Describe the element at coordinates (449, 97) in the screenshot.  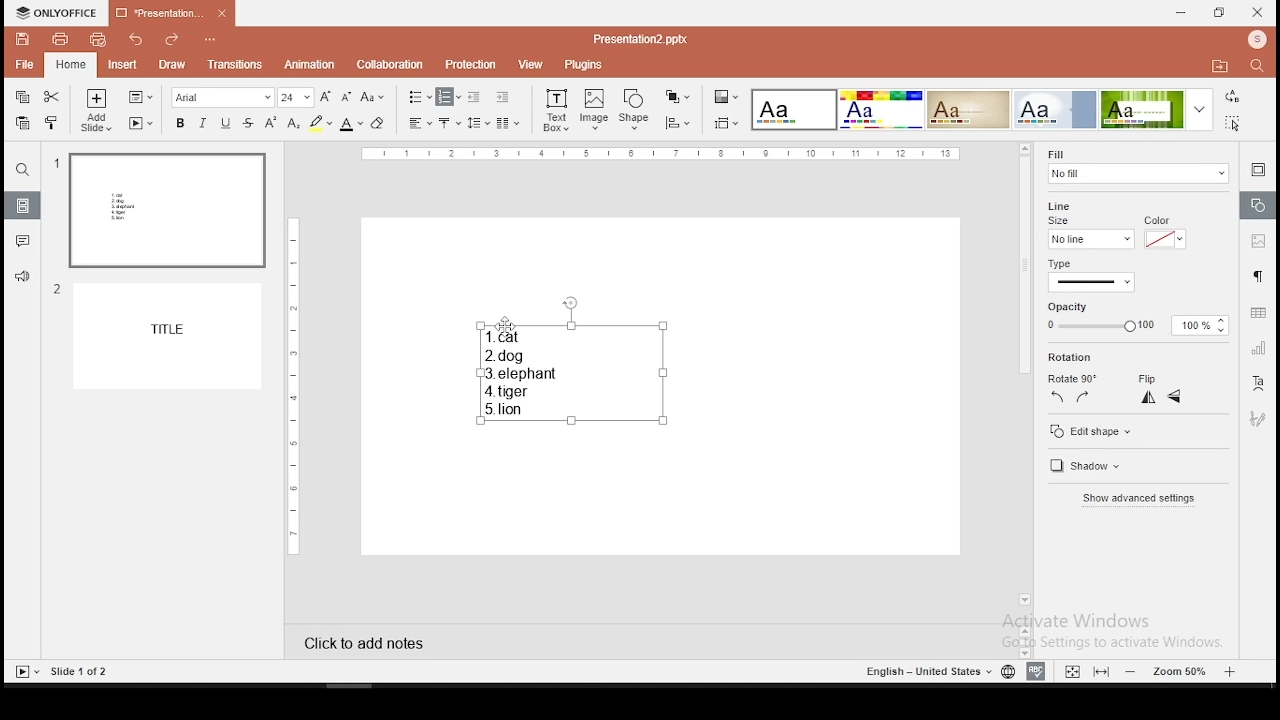
I see `numbering` at that location.